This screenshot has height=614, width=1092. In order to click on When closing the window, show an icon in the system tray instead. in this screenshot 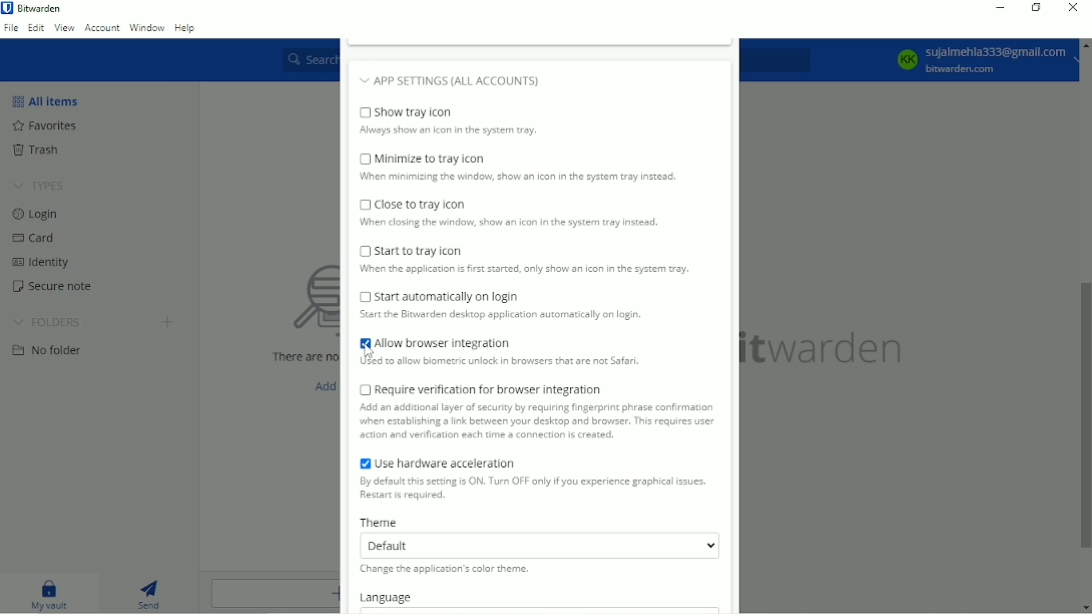, I will do `click(508, 225)`.